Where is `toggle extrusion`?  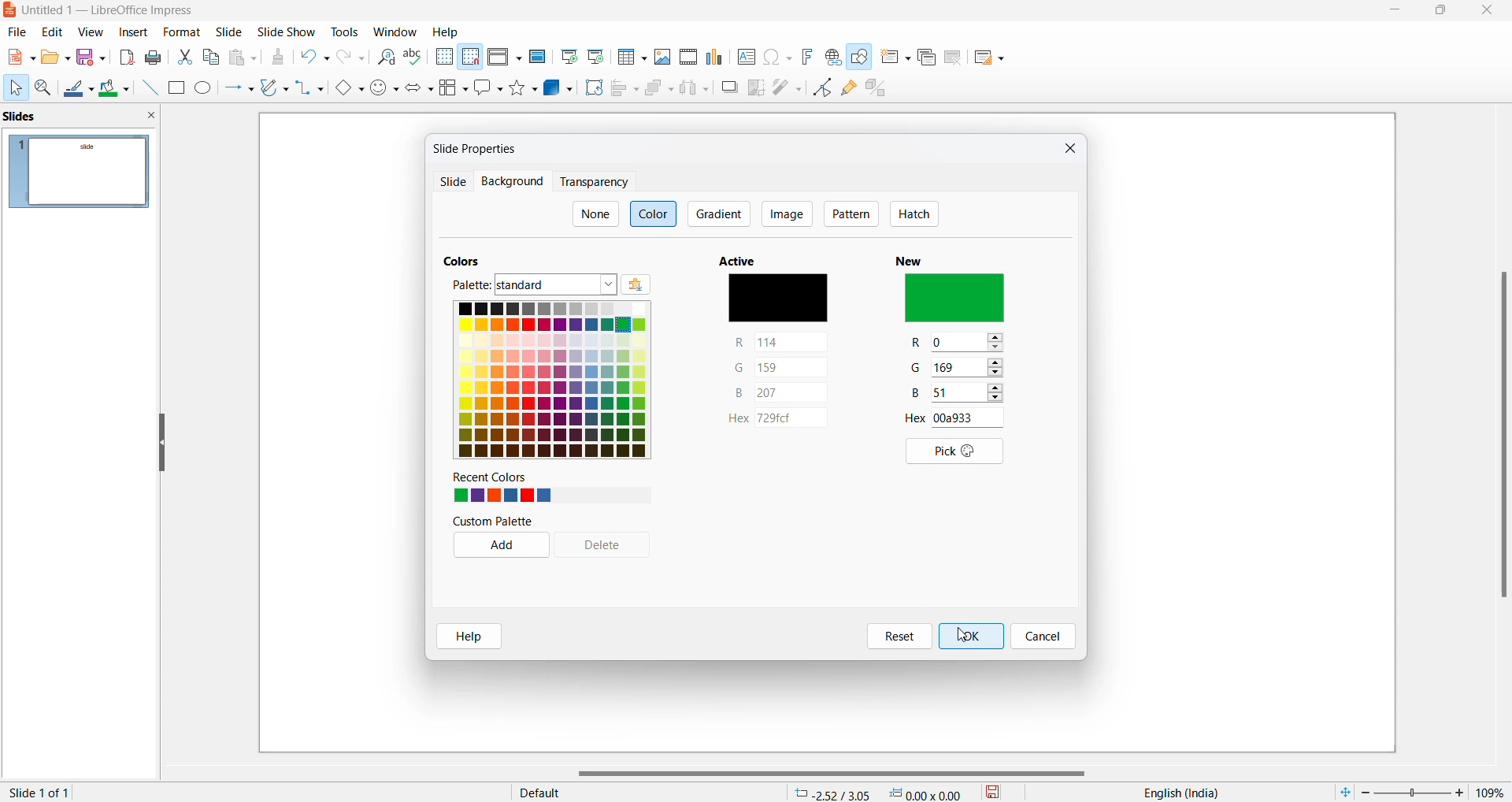 toggle extrusion is located at coordinates (881, 91).